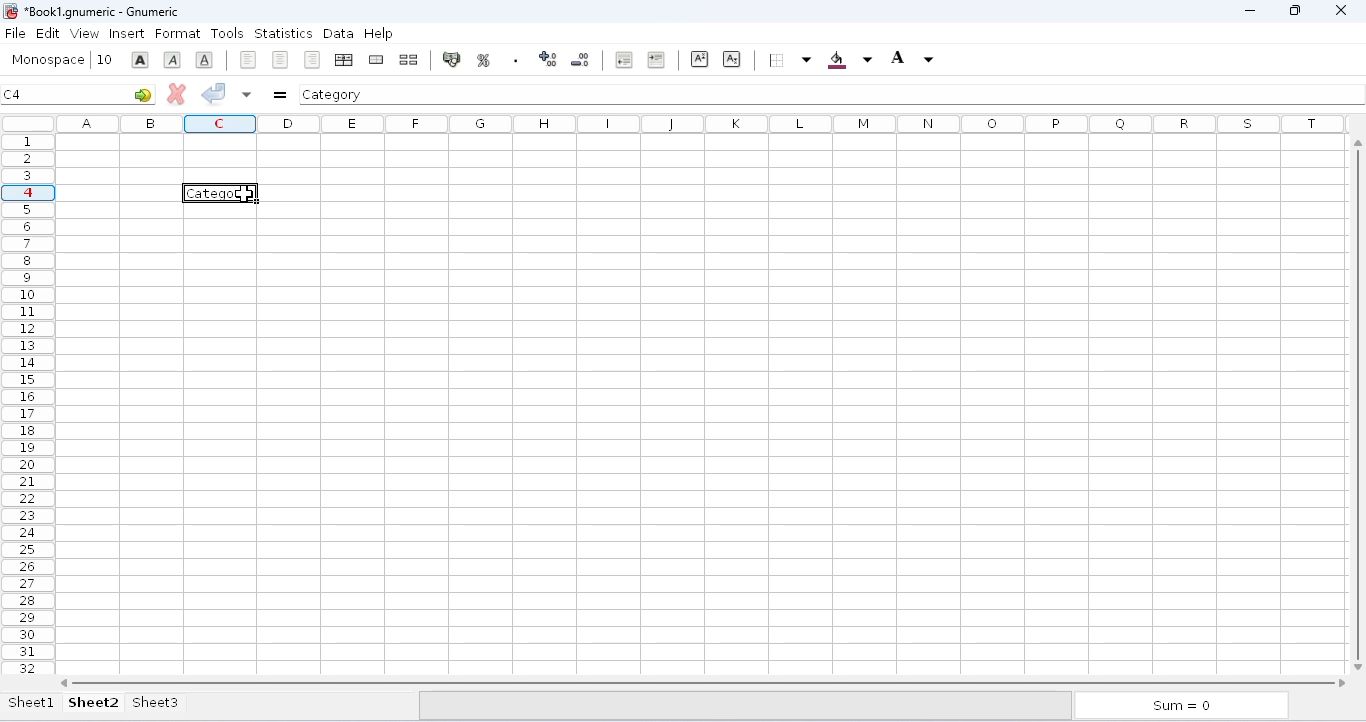 This screenshot has width=1366, height=722. I want to click on align right, so click(312, 59).